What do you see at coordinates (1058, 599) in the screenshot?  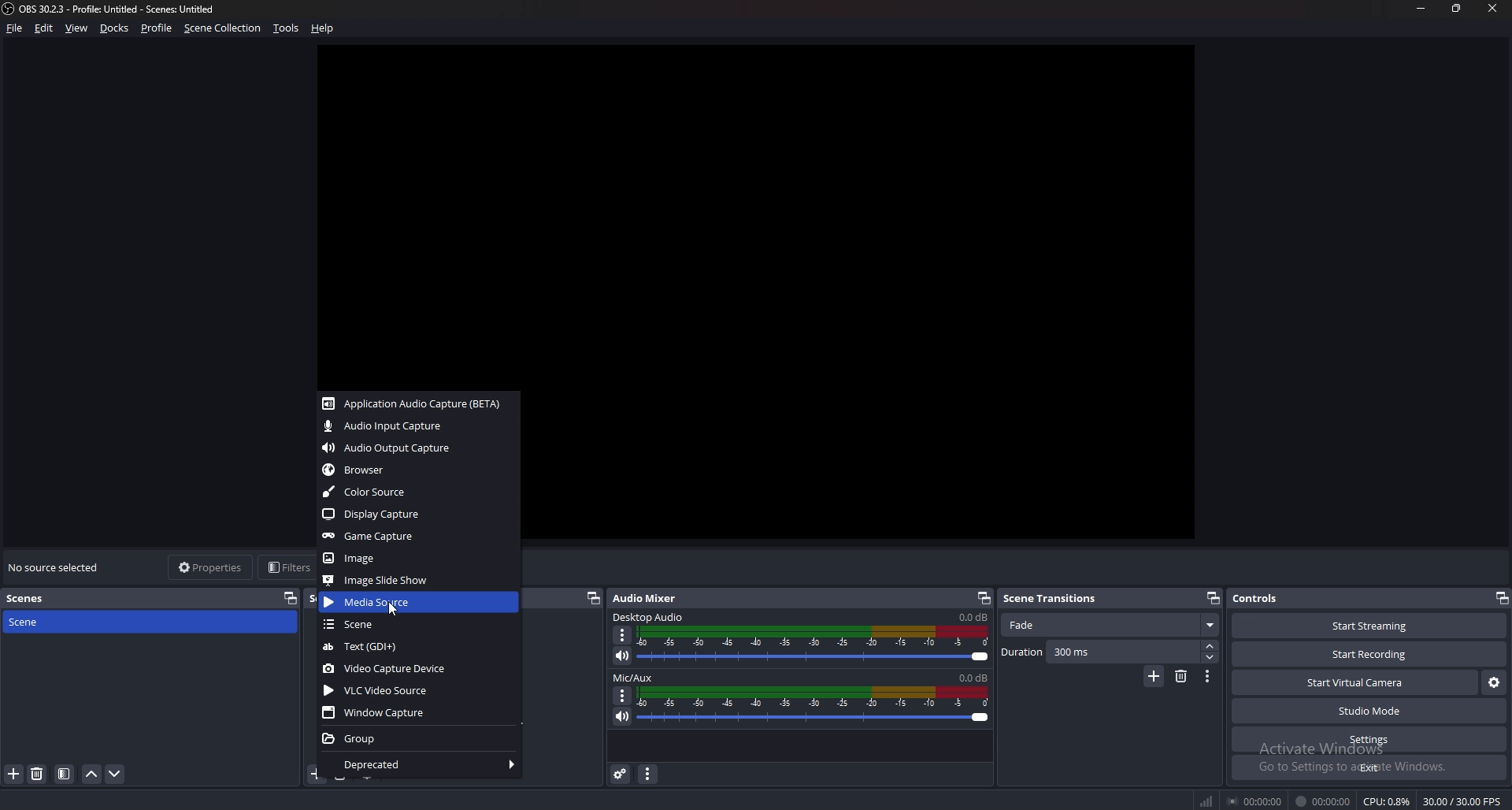 I see `Scene transitions` at bounding box center [1058, 599].